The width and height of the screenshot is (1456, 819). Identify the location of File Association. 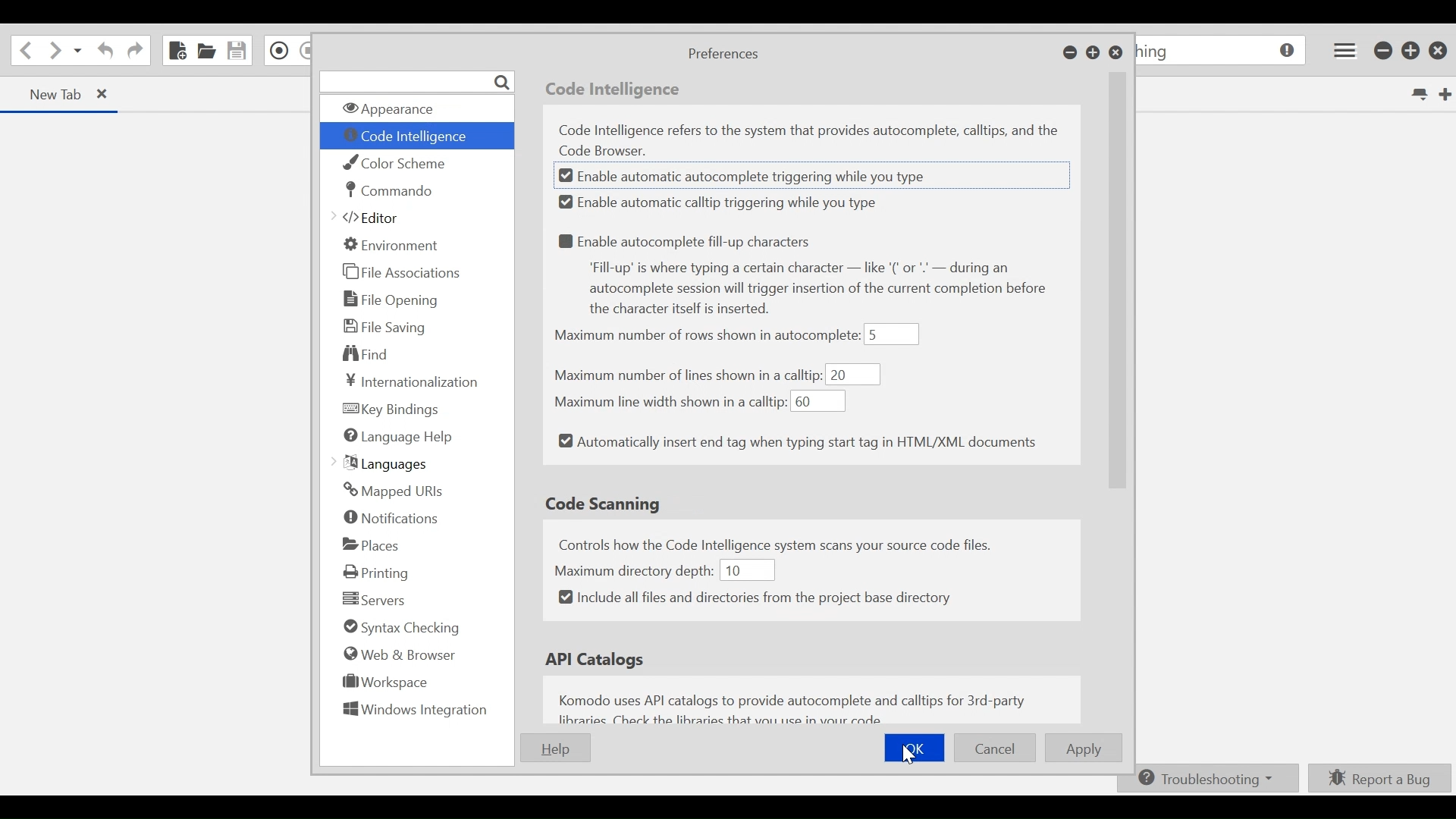
(403, 273).